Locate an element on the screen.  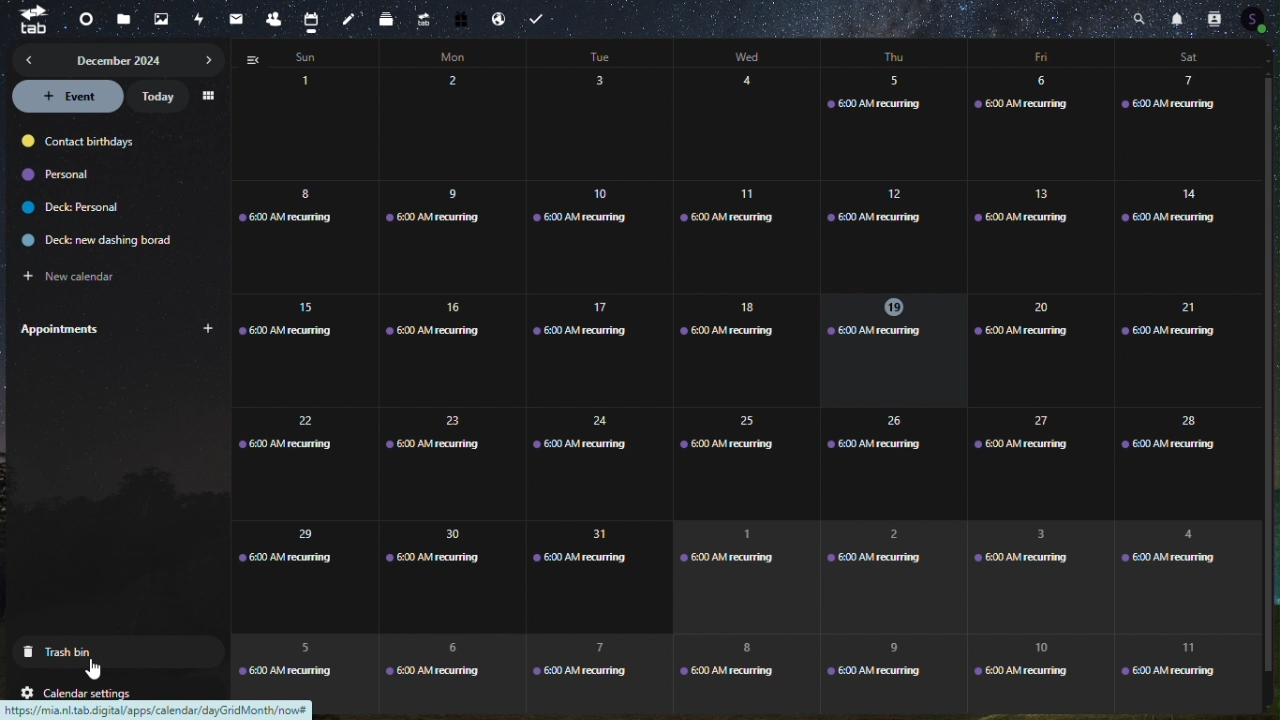
22 is located at coordinates (290, 463).